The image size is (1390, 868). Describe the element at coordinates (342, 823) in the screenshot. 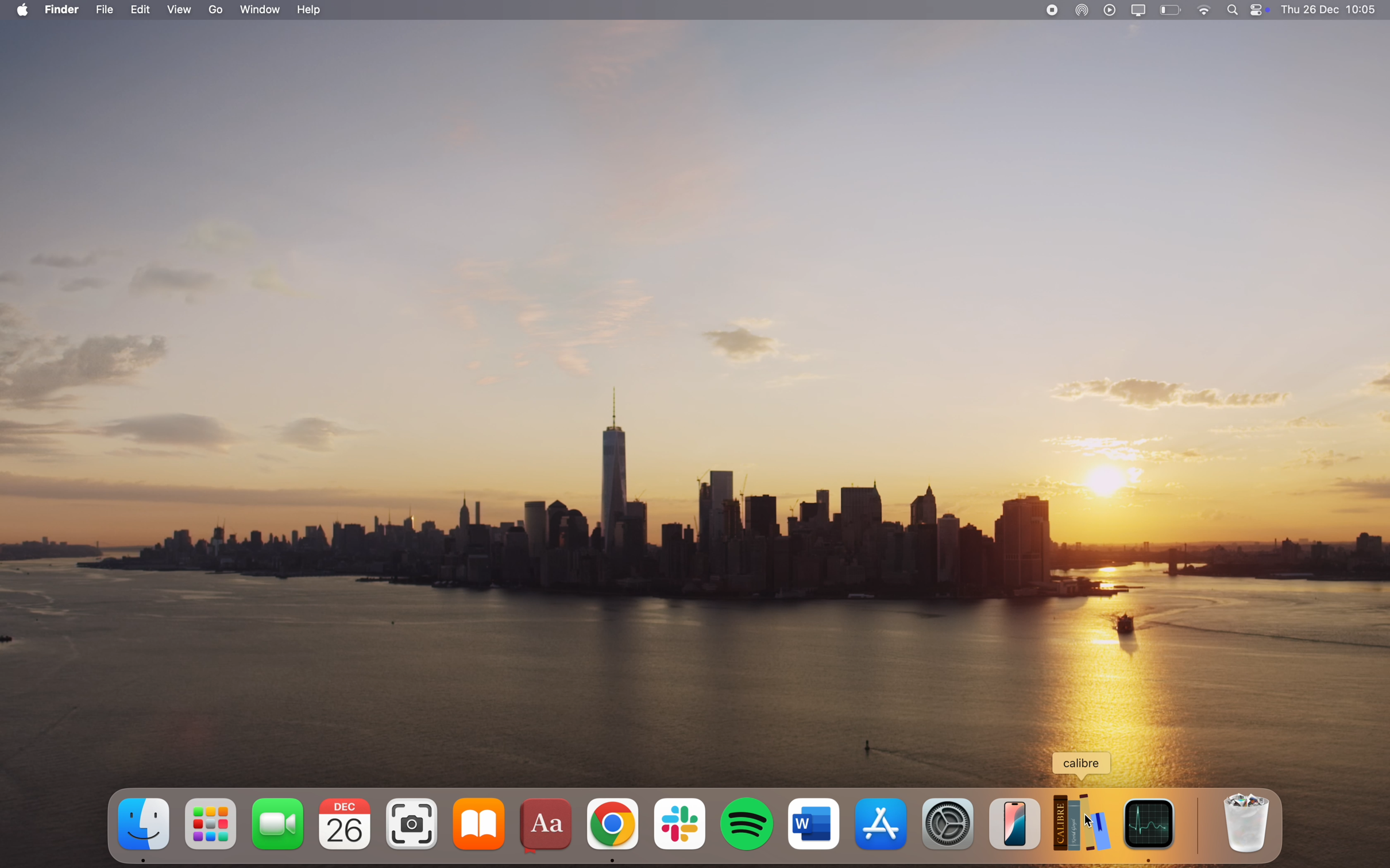

I see `calendar` at that location.